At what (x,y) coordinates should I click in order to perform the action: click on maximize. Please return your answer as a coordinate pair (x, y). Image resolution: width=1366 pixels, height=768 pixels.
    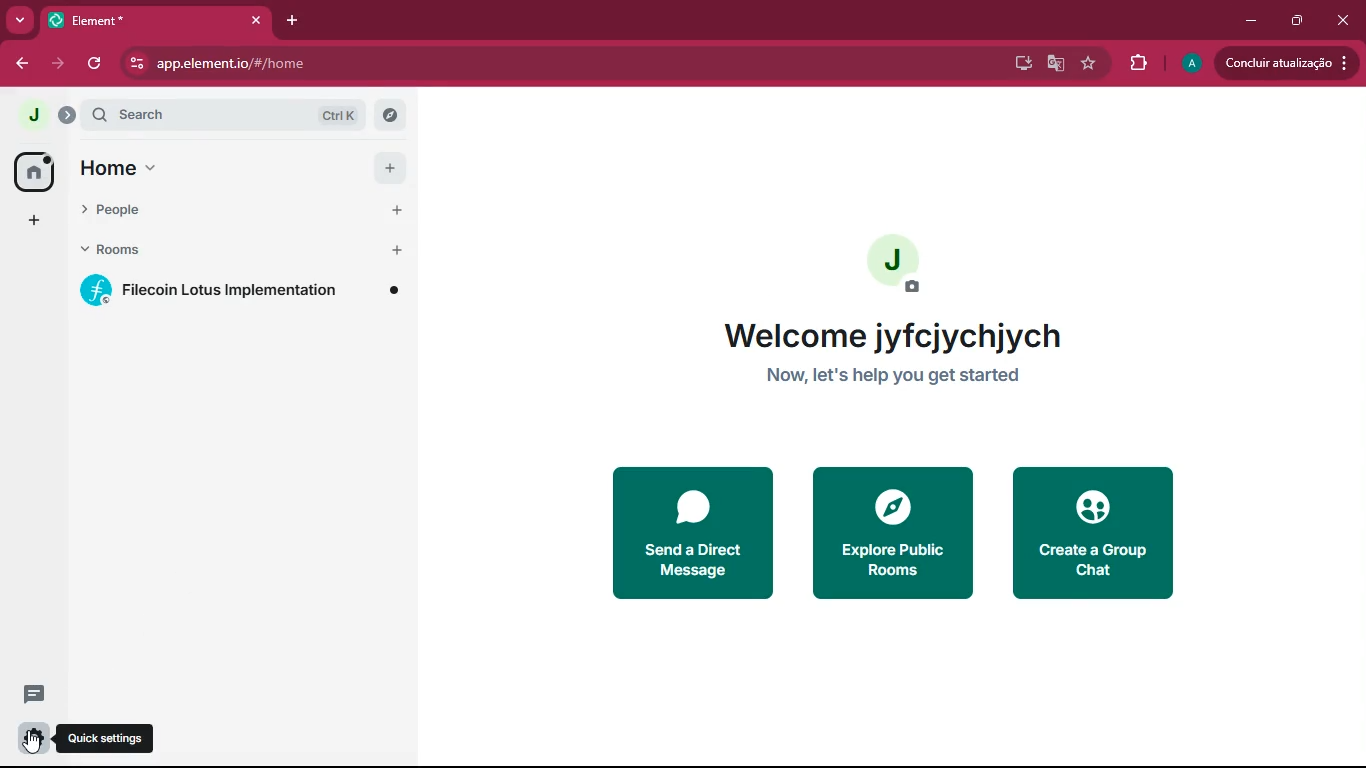
    Looking at the image, I should click on (1297, 20).